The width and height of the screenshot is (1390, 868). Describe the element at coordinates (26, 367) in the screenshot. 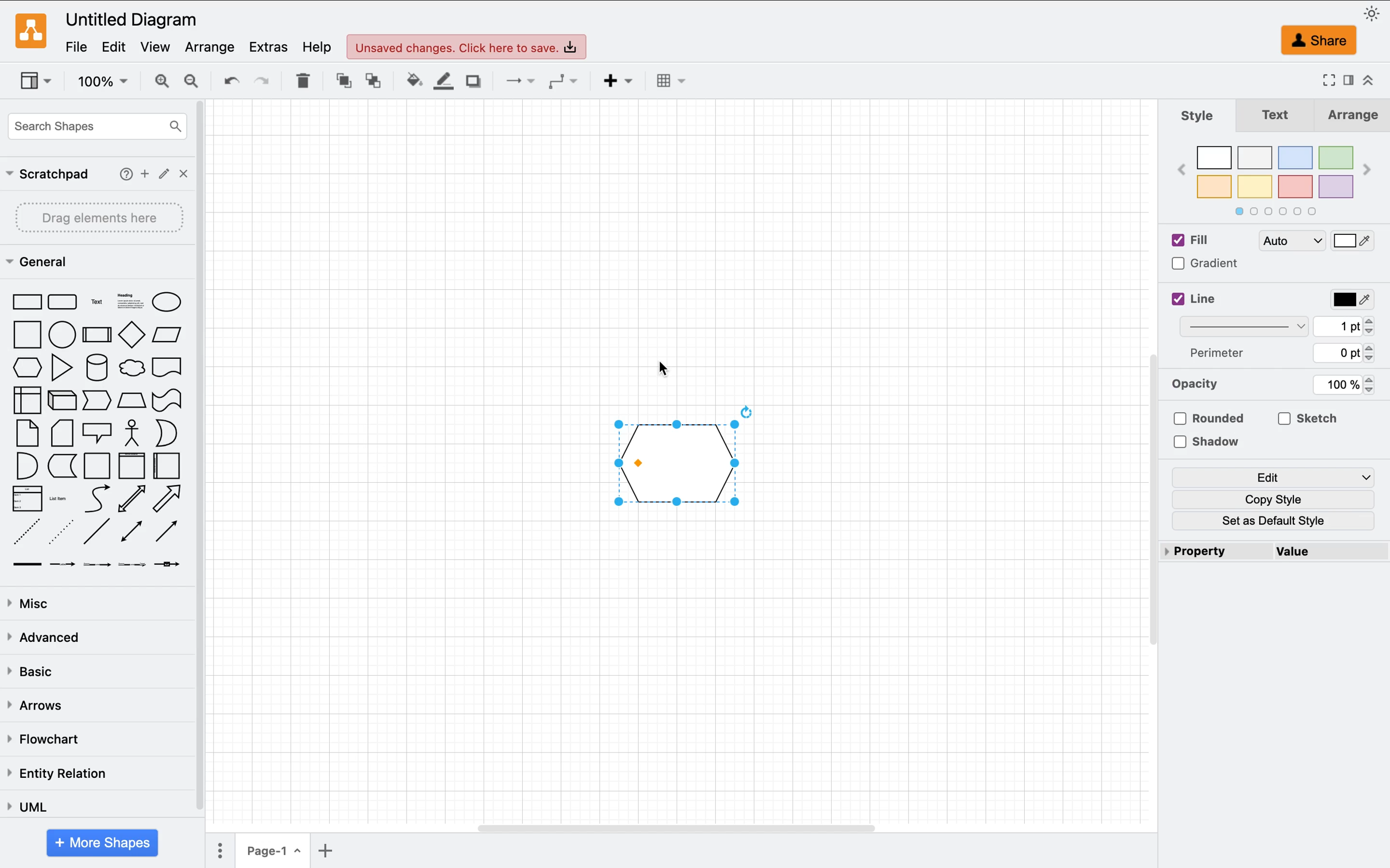

I see `hexagon` at that location.